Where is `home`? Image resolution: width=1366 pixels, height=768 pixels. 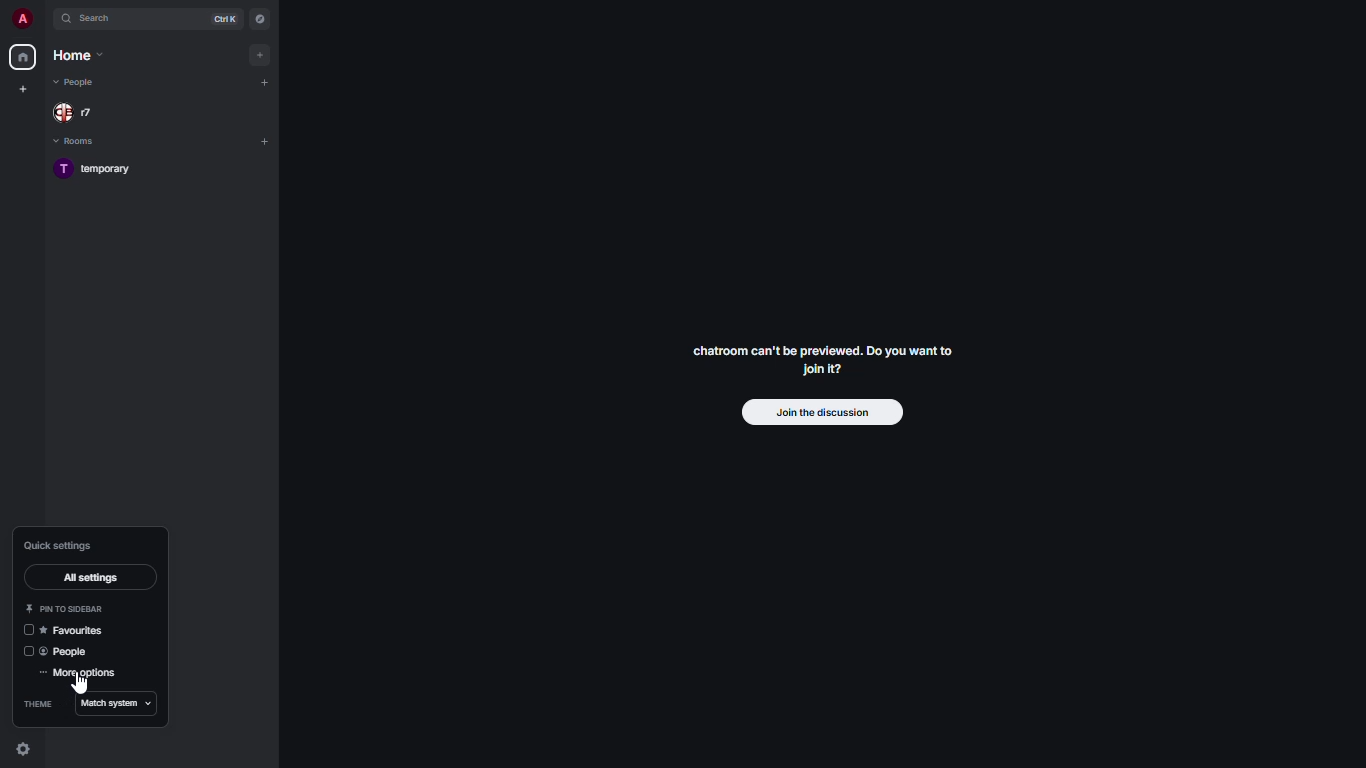 home is located at coordinates (80, 55).